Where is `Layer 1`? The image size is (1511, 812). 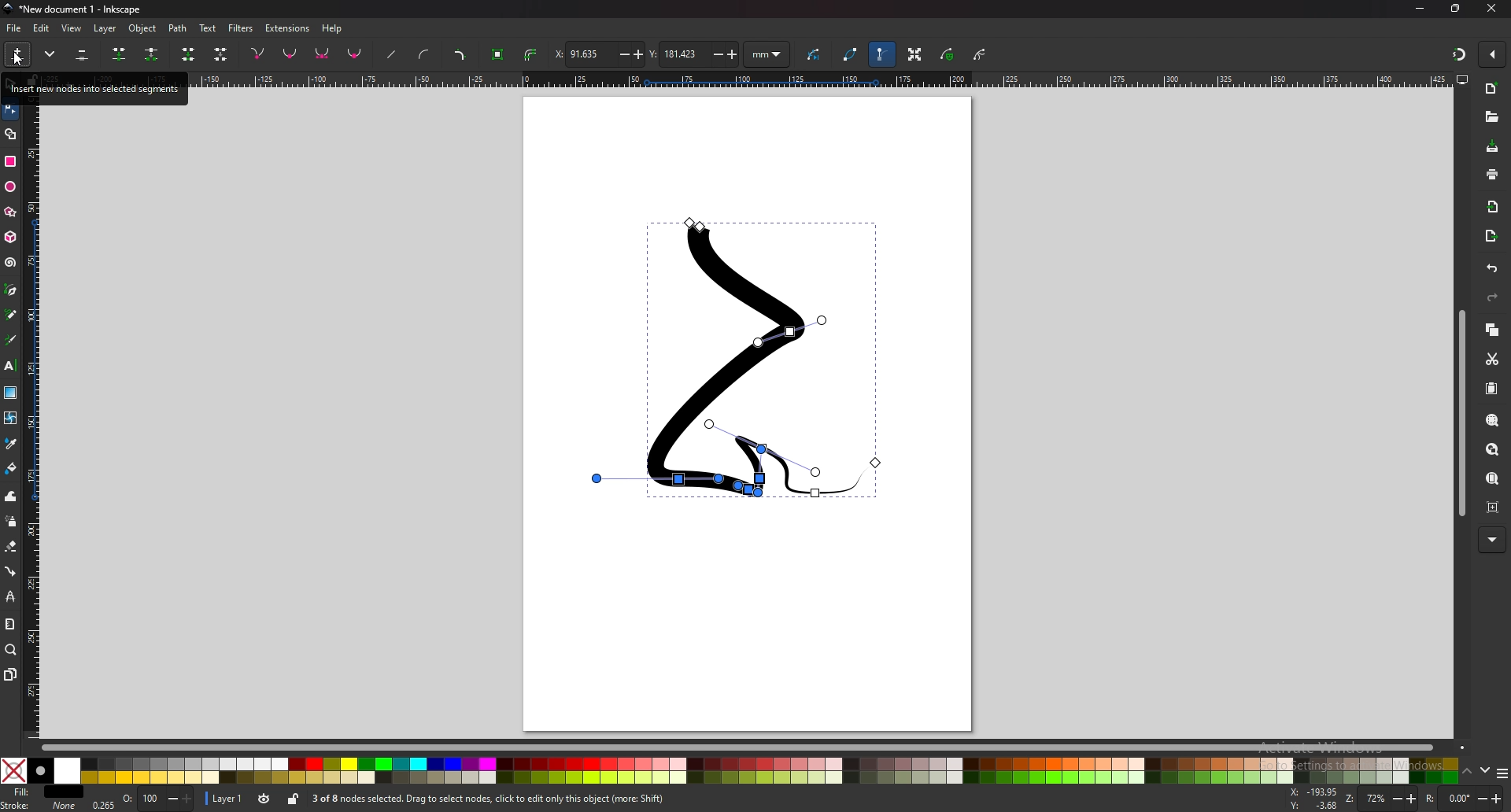 Layer 1 is located at coordinates (238, 800).